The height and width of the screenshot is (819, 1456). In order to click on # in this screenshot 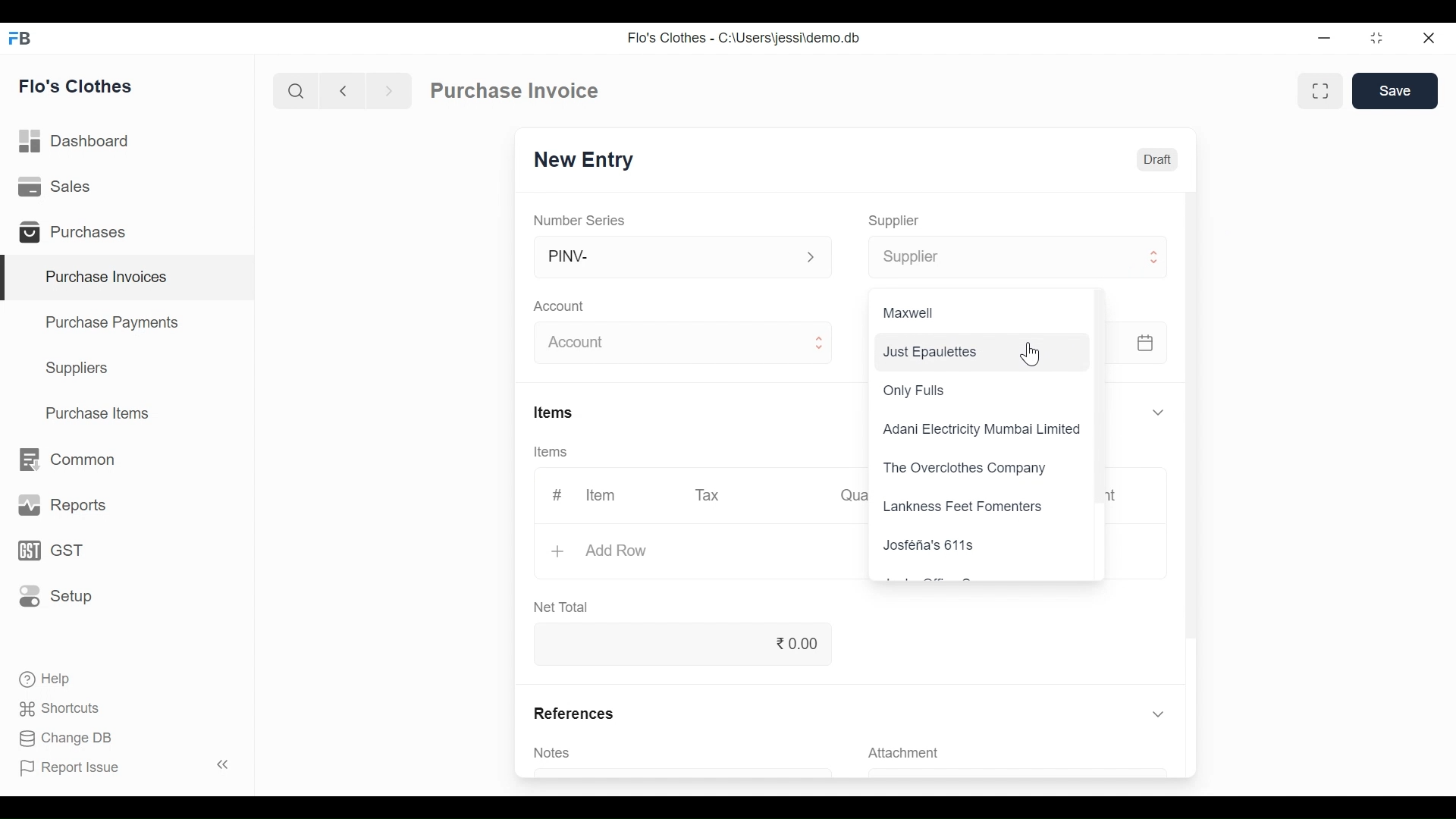, I will do `click(558, 494)`.